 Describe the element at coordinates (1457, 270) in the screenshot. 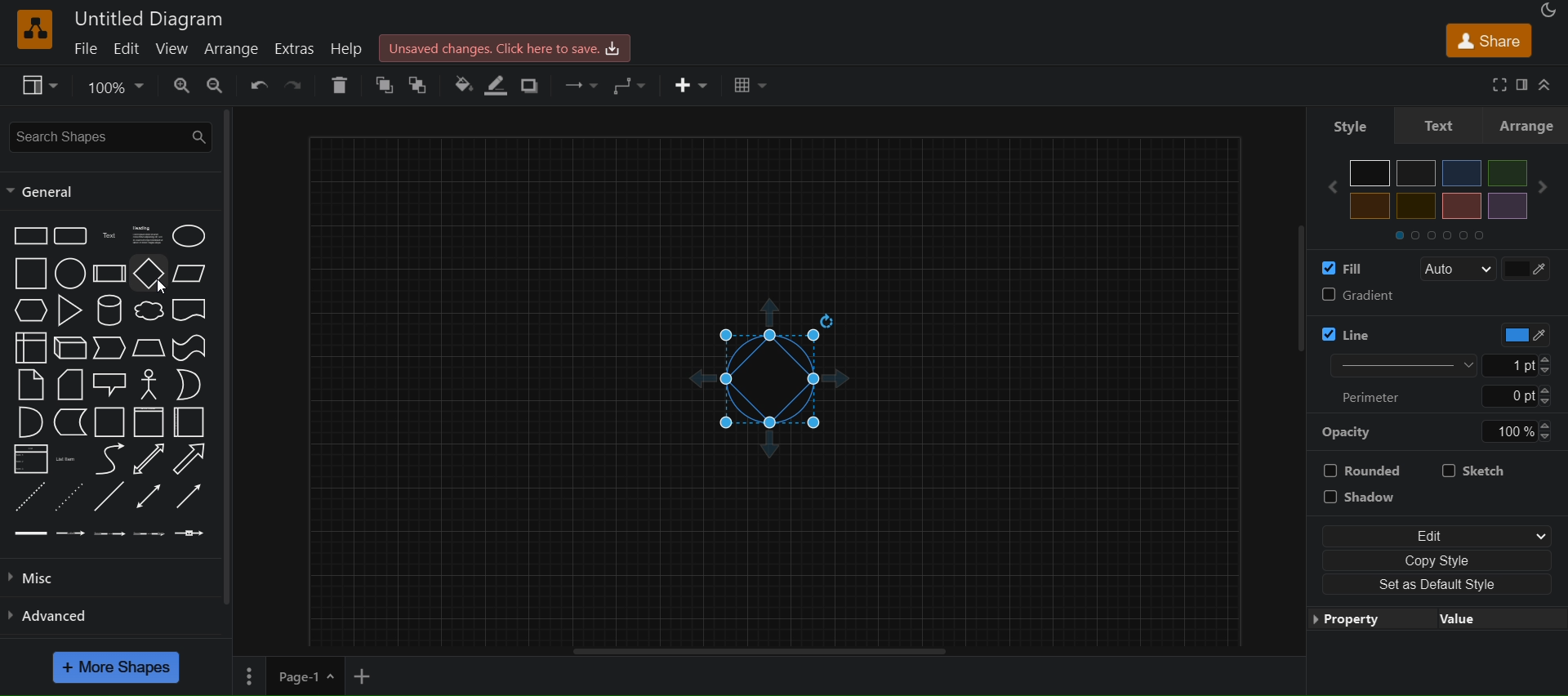

I see `auto` at that location.